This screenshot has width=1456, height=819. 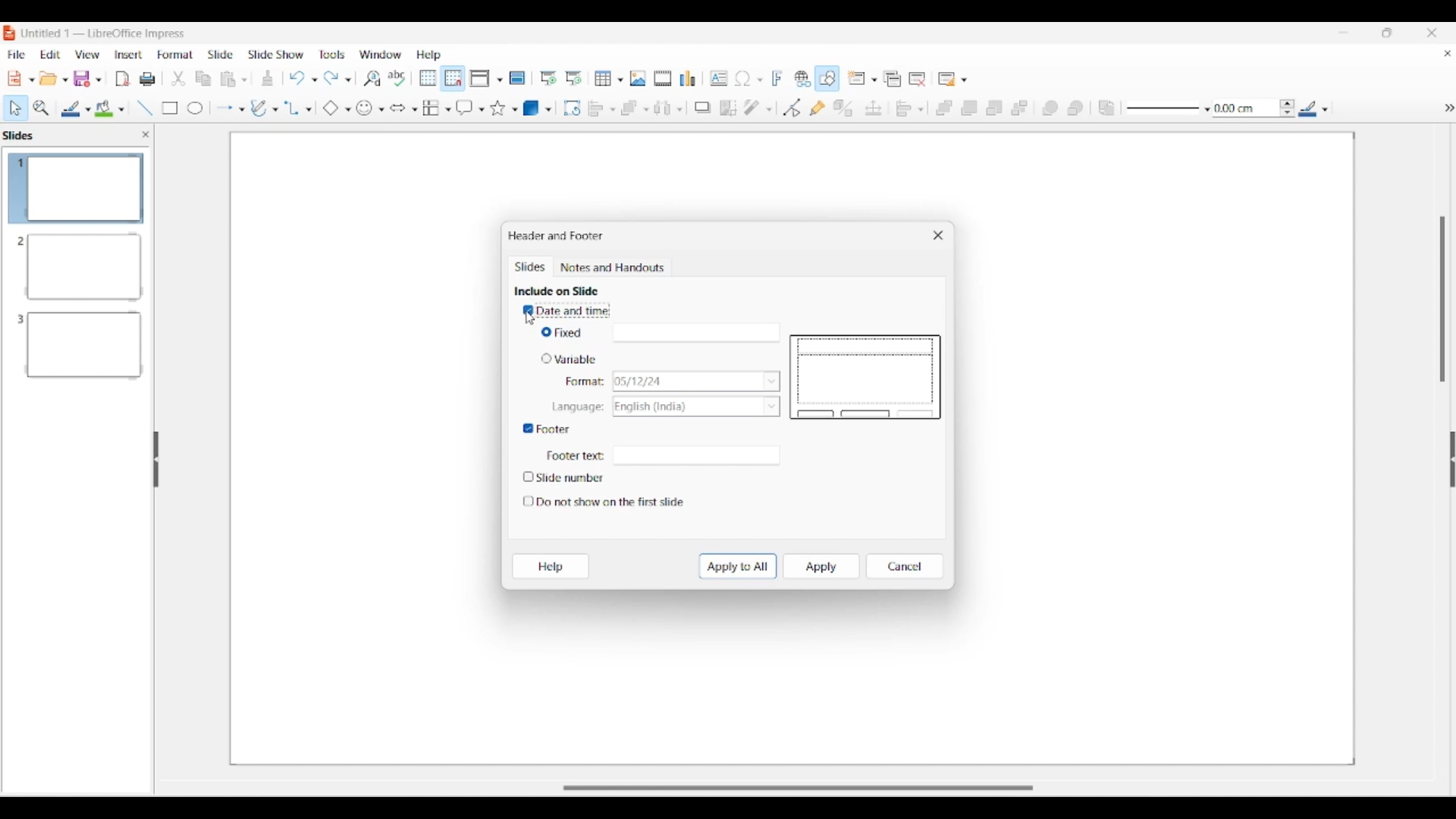 What do you see at coordinates (865, 378) in the screenshot?
I see `Slide preview` at bounding box center [865, 378].